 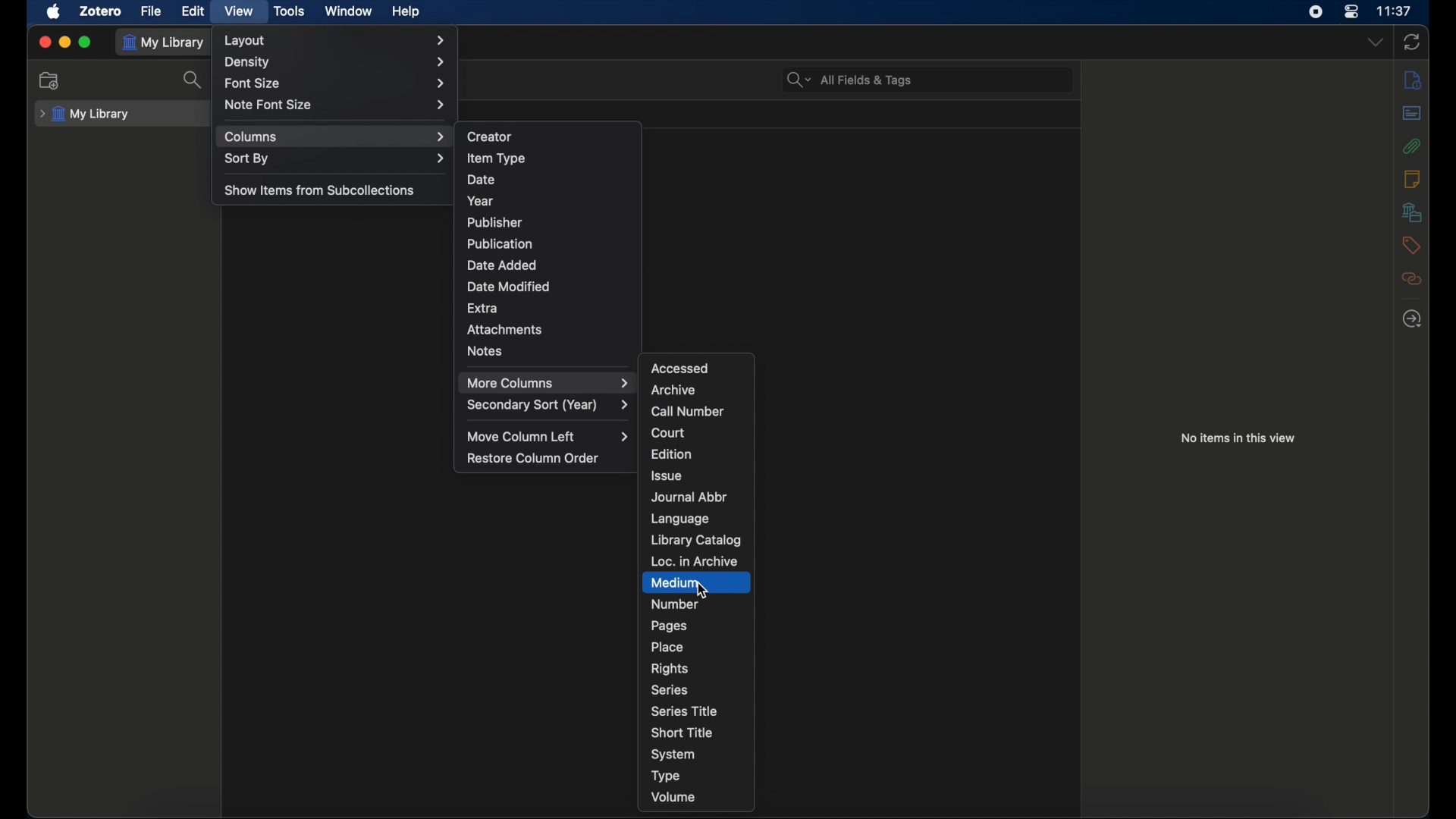 What do you see at coordinates (337, 40) in the screenshot?
I see `layout` at bounding box center [337, 40].